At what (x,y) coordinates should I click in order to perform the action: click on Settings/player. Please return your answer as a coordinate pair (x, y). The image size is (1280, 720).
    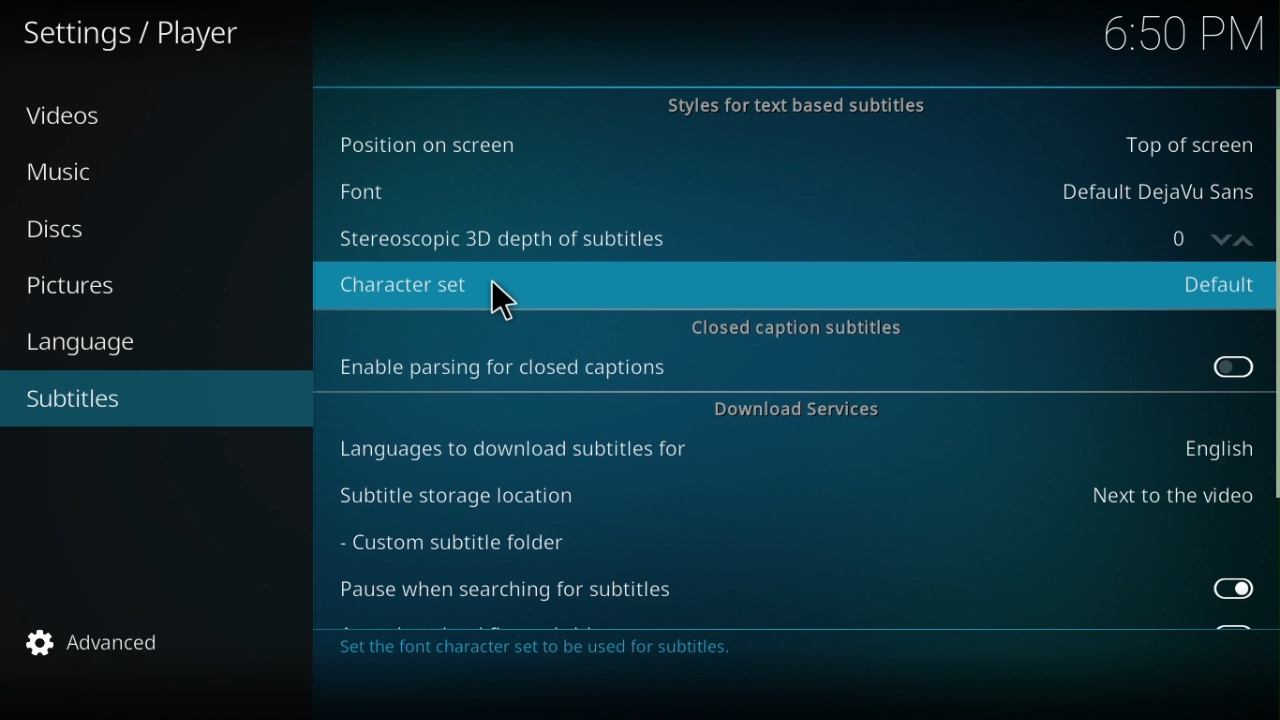
    Looking at the image, I should click on (154, 35).